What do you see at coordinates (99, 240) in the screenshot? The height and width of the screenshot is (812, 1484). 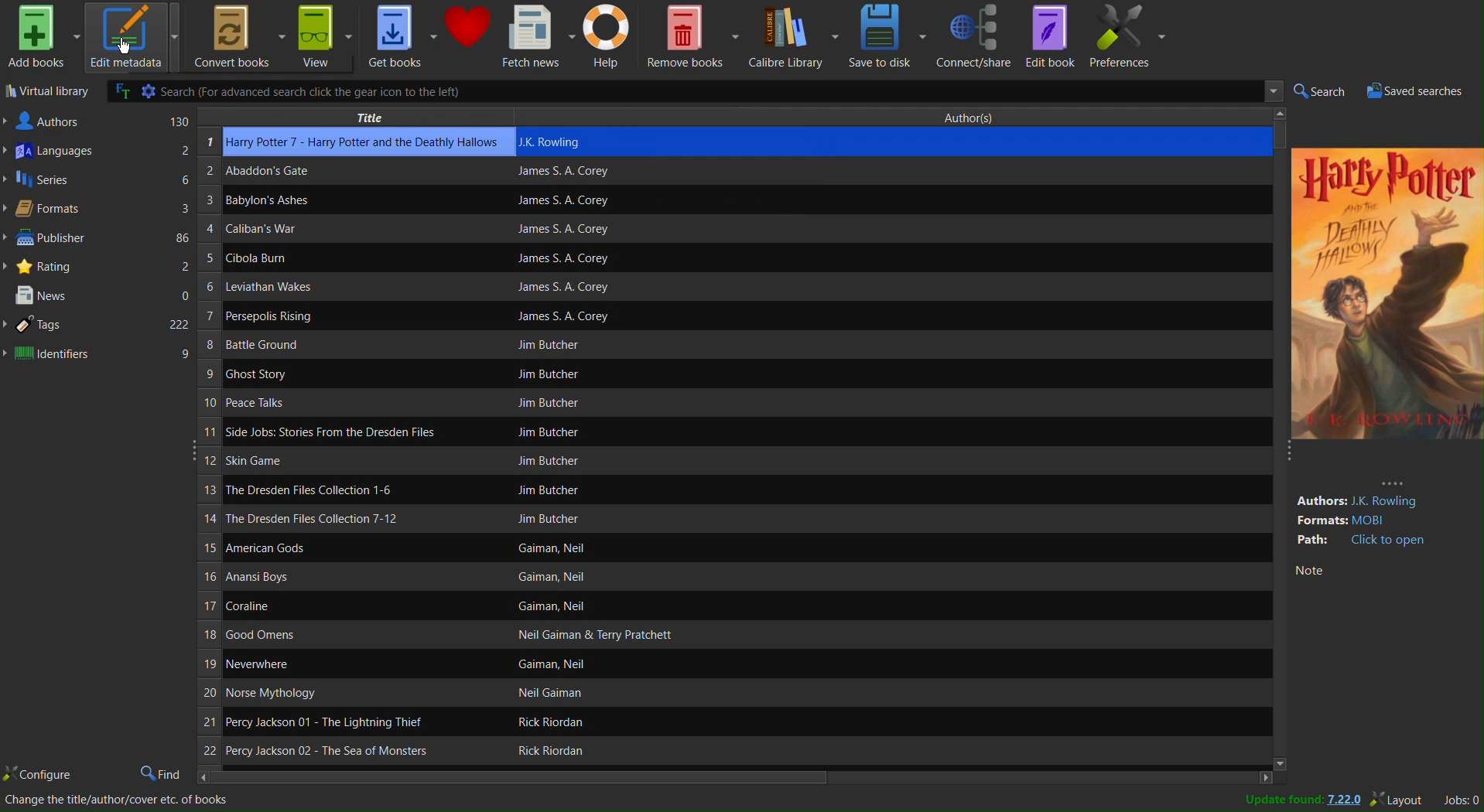 I see `Publisher` at bounding box center [99, 240].